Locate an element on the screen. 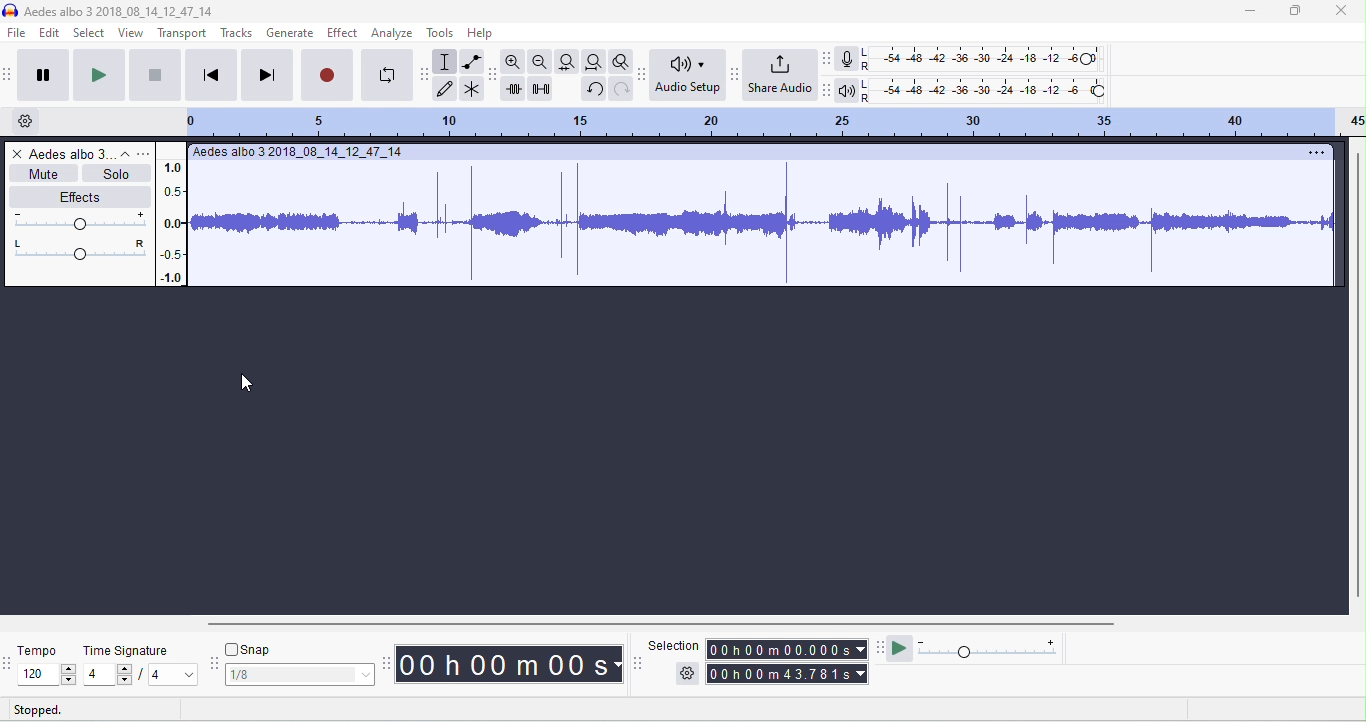 The width and height of the screenshot is (1366, 722). close is located at coordinates (16, 155).